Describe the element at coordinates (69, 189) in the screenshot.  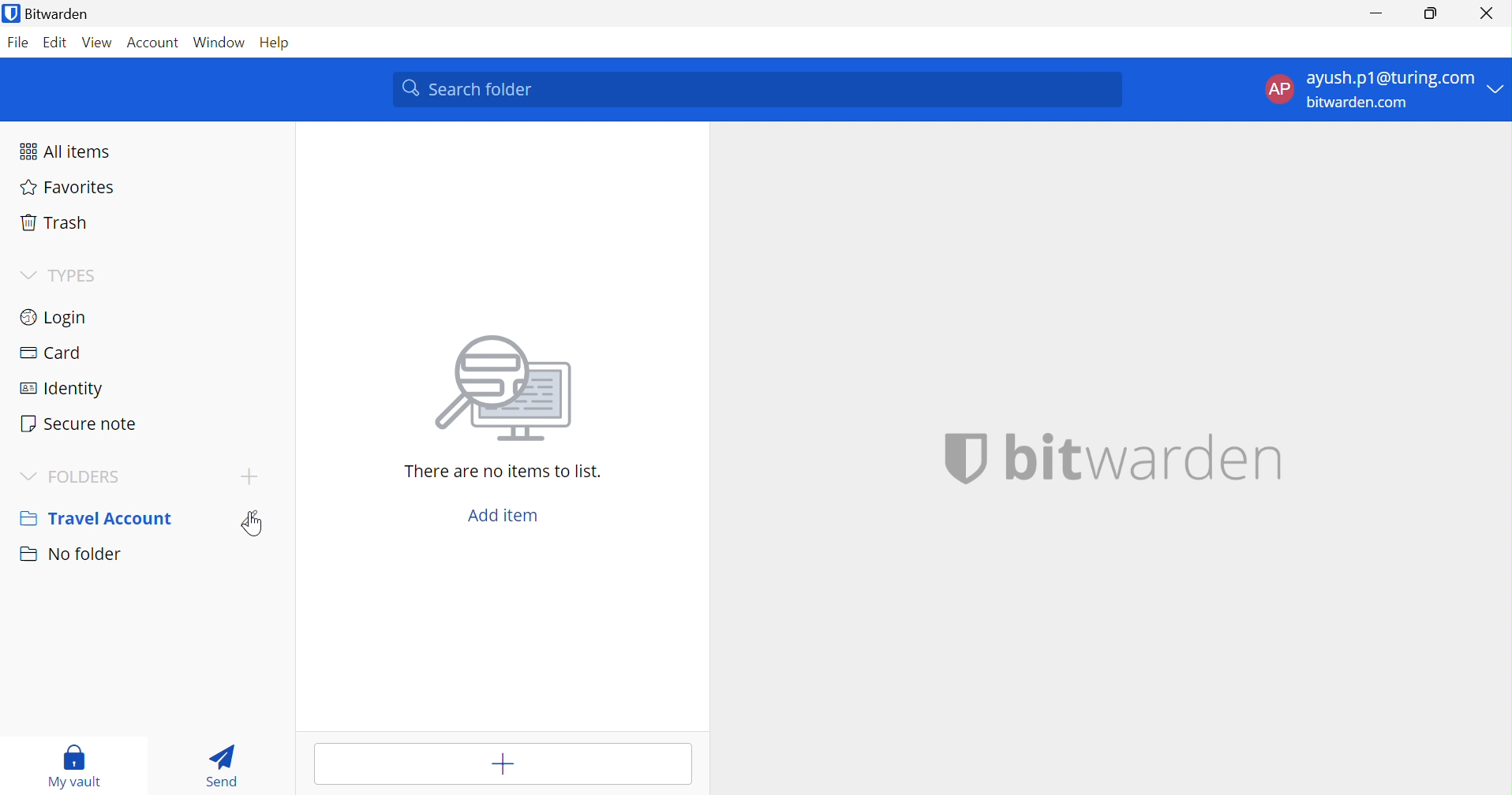
I see `Favorites` at that location.